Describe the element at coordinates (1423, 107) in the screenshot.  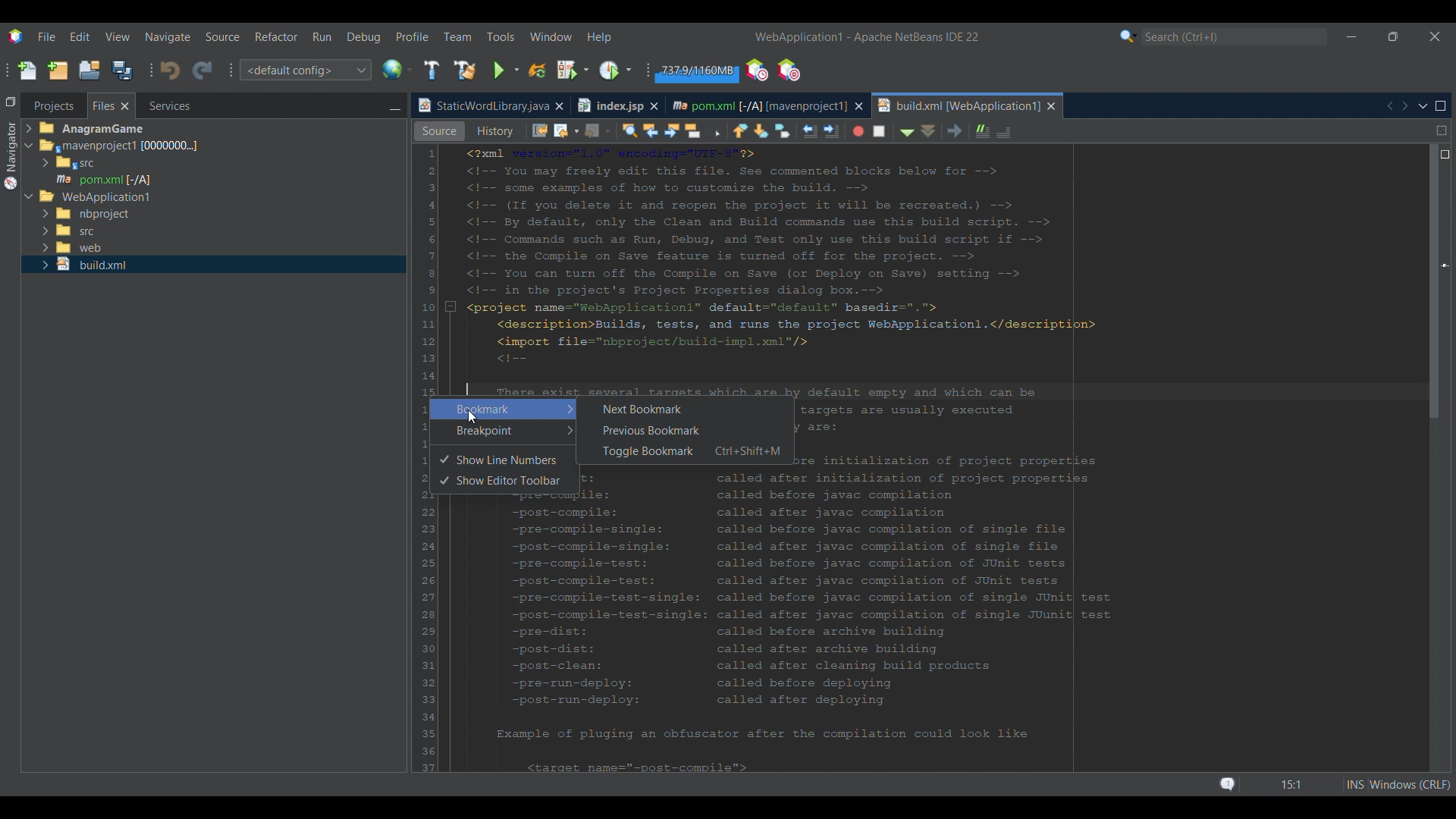
I see `Show opened documents list` at that location.